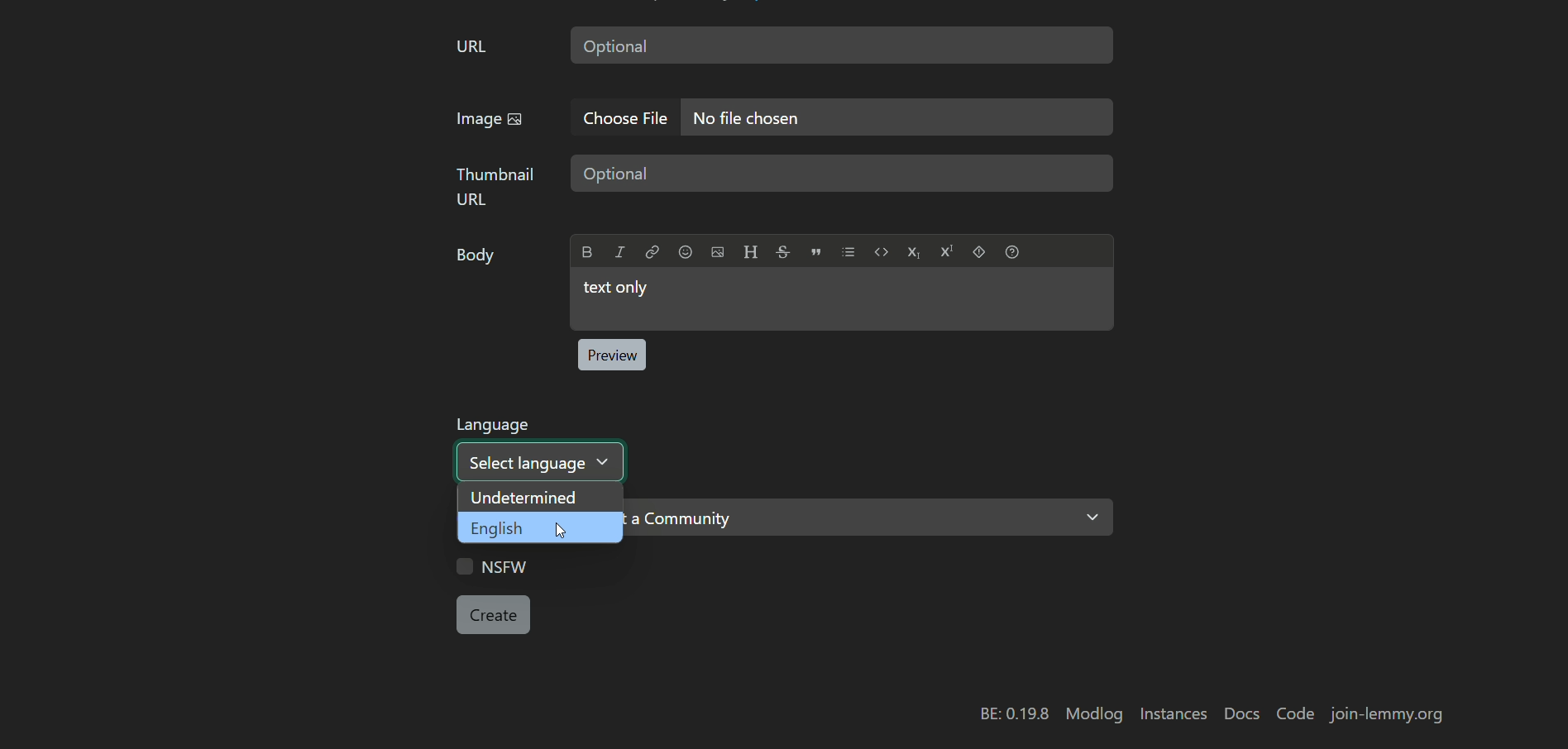 The image size is (1568, 749). Describe the element at coordinates (979, 251) in the screenshot. I see `Spoiler` at that location.